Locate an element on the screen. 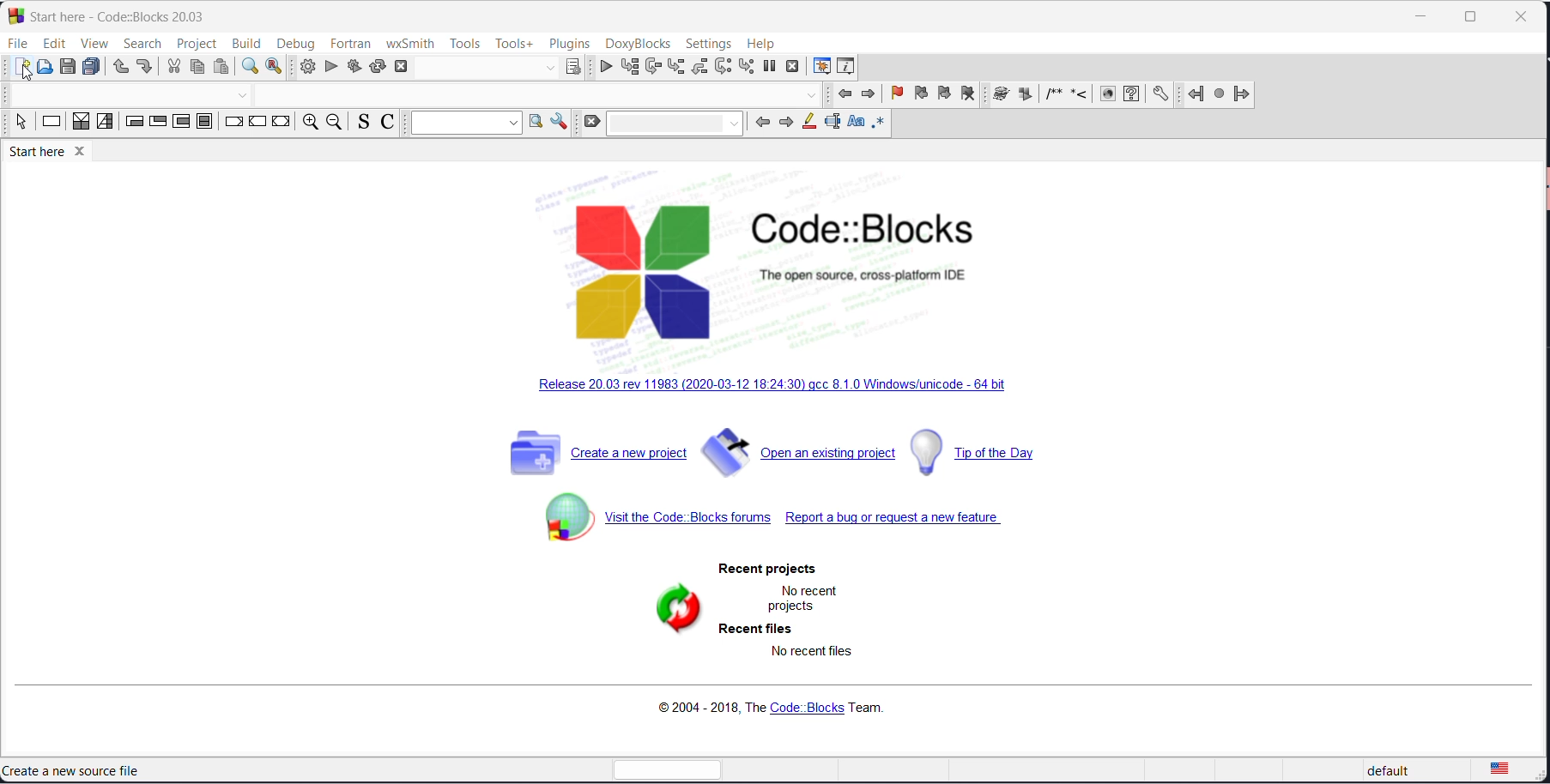  go back is located at coordinates (845, 94).